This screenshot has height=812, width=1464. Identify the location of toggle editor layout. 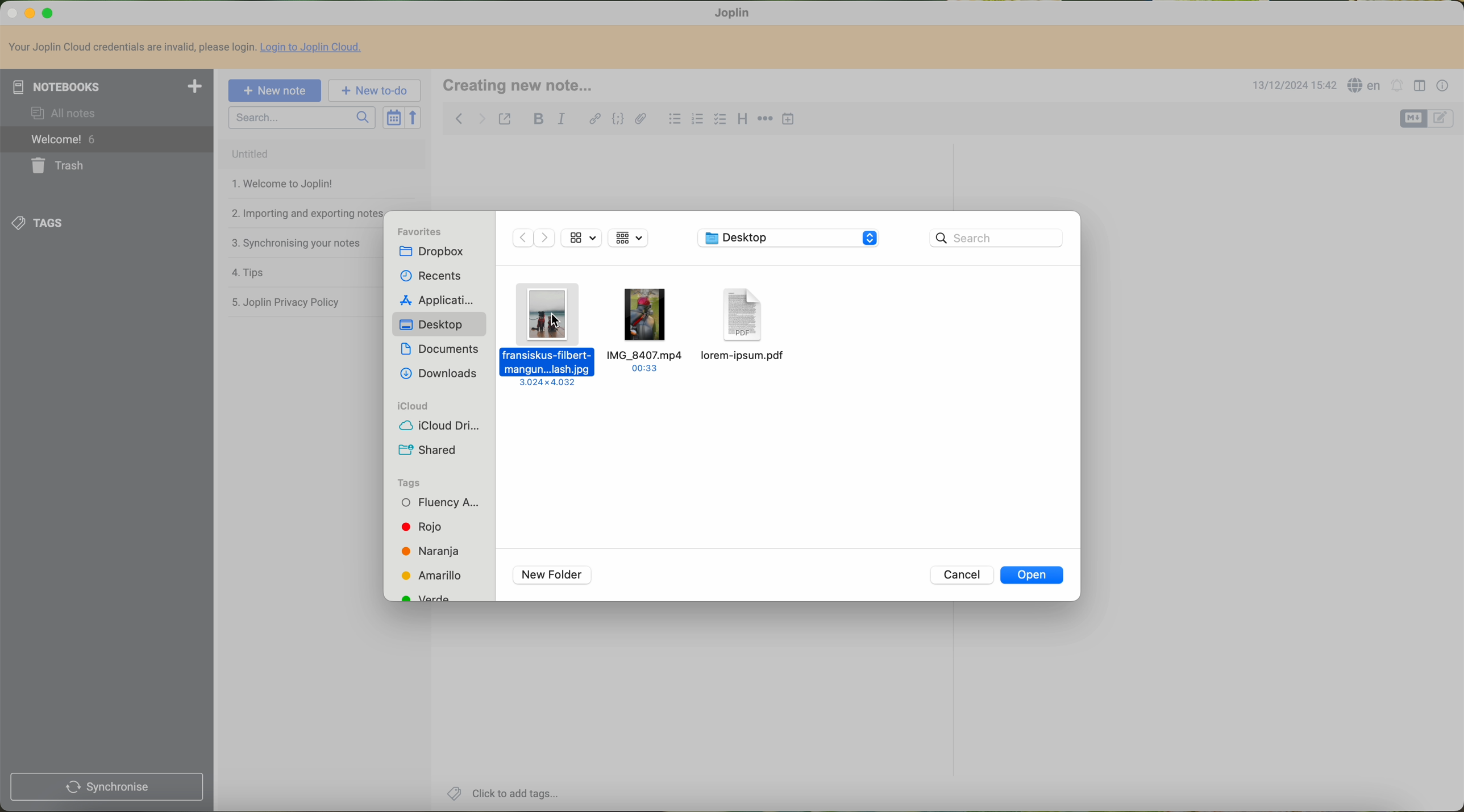
(1421, 86).